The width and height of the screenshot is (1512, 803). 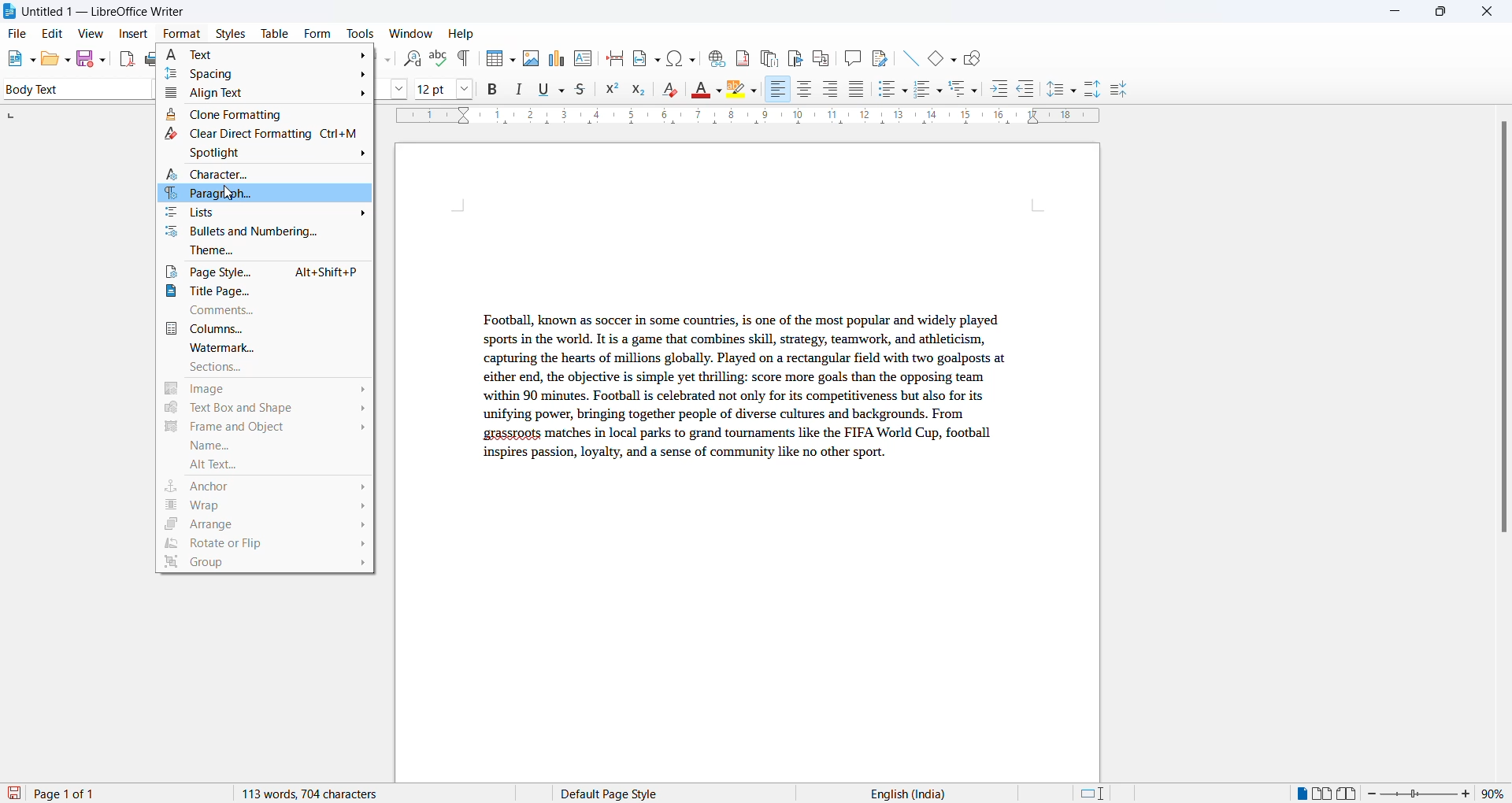 What do you see at coordinates (1093, 90) in the screenshot?
I see `increase paragraph` at bounding box center [1093, 90].